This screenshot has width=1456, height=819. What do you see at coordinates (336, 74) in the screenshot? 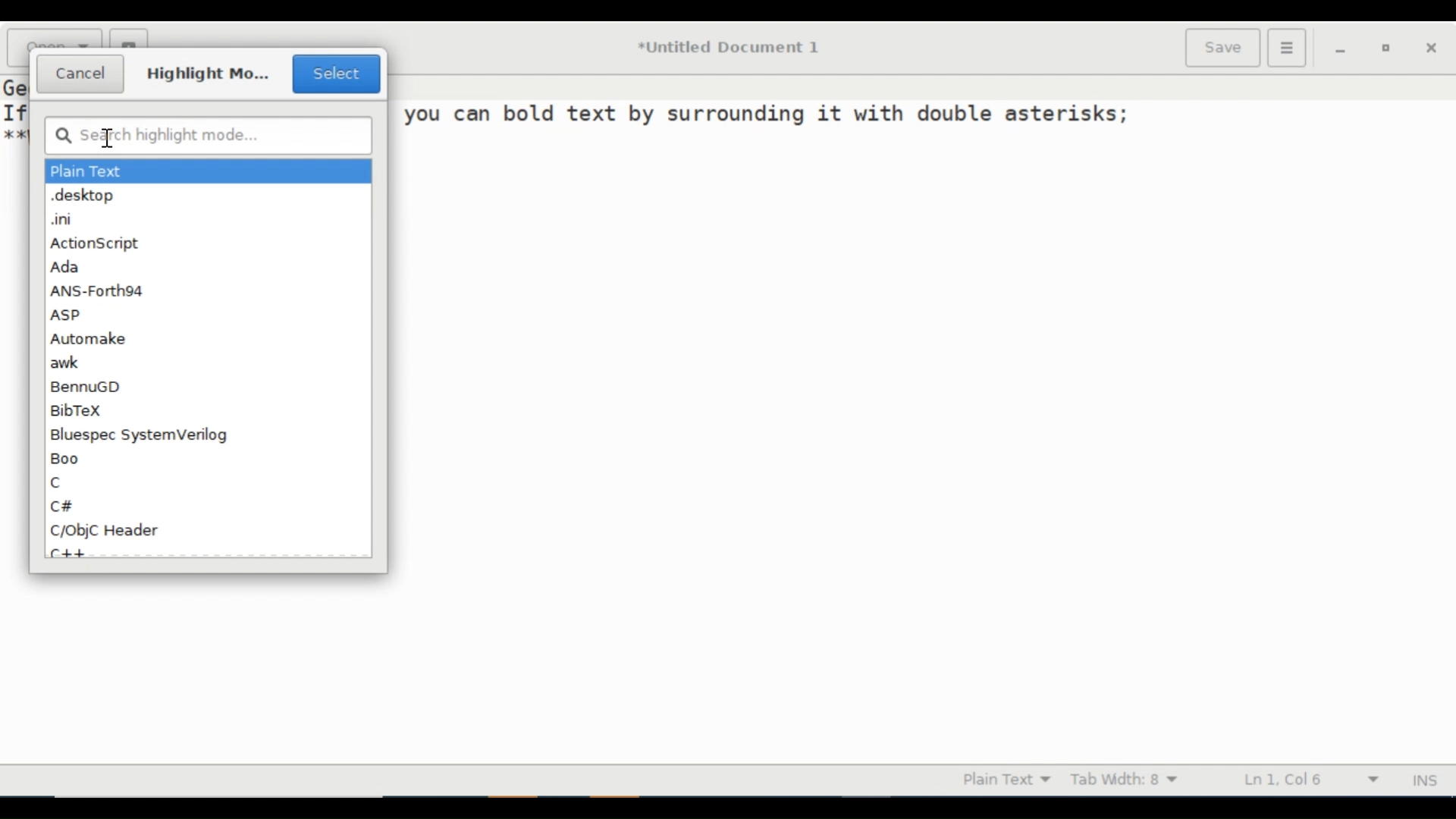
I see `Select` at bounding box center [336, 74].